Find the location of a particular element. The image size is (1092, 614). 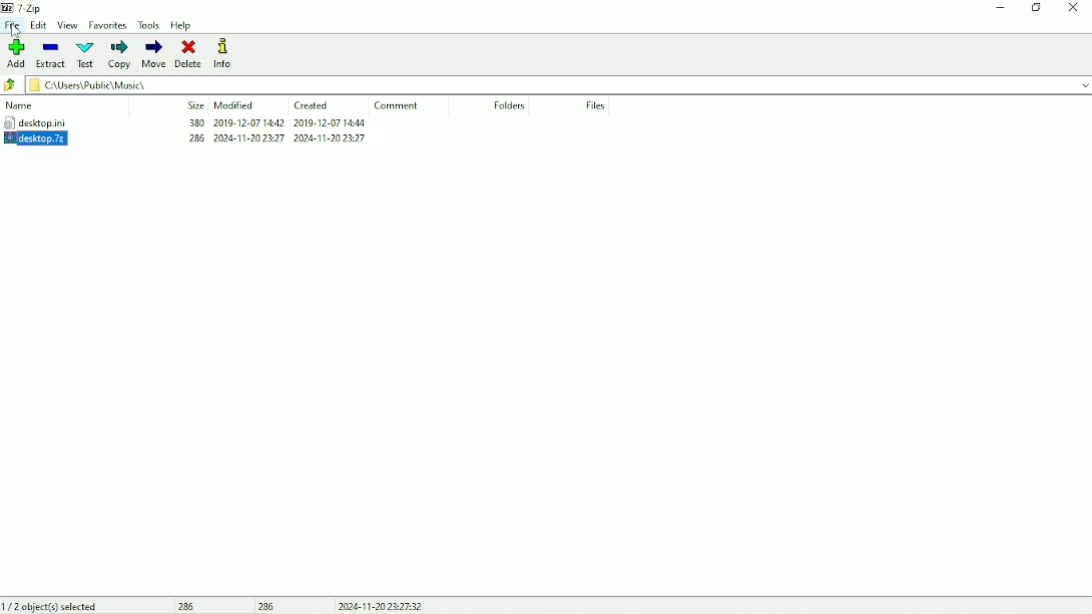

Test is located at coordinates (84, 54).